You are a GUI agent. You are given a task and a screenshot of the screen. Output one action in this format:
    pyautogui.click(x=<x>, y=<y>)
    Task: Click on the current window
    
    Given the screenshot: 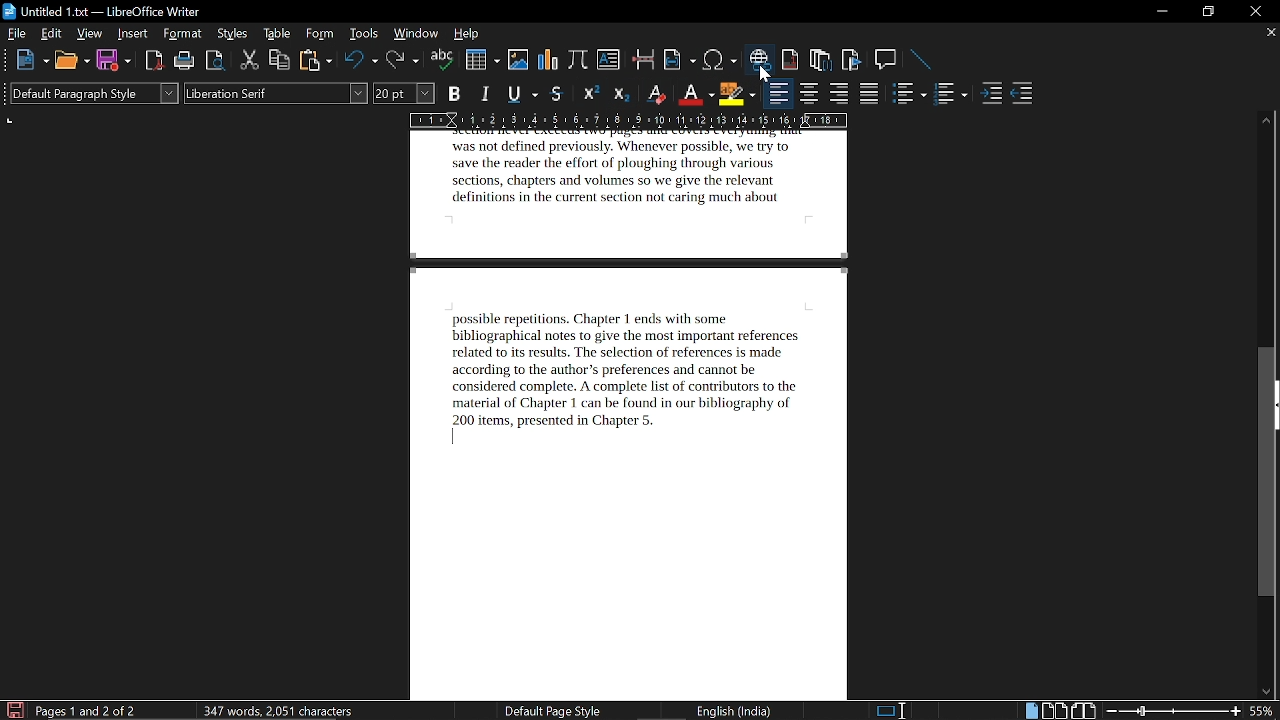 What is the action you would take?
    pyautogui.click(x=102, y=11)
    